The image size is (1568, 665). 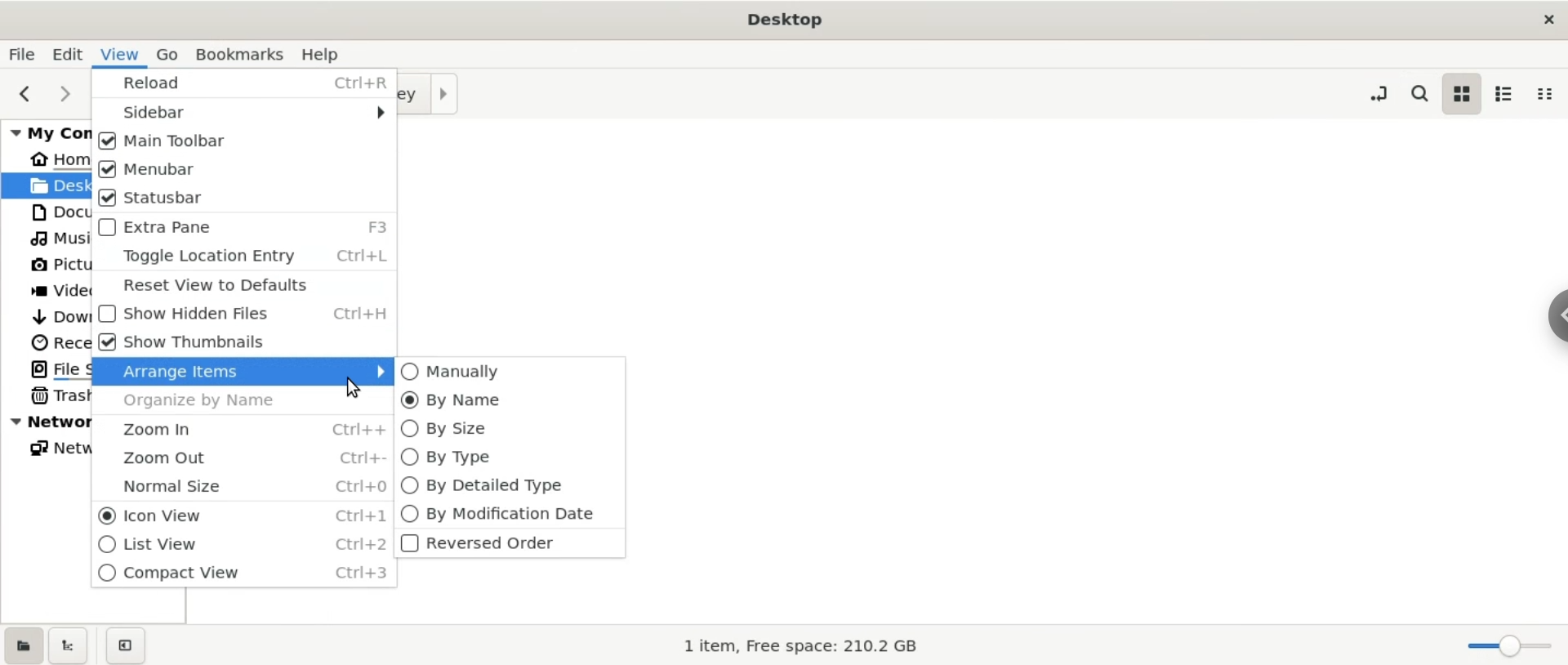 What do you see at coordinates (243, 199) in the screenshot?
I see `status bar` at bounding box center [243, 199].